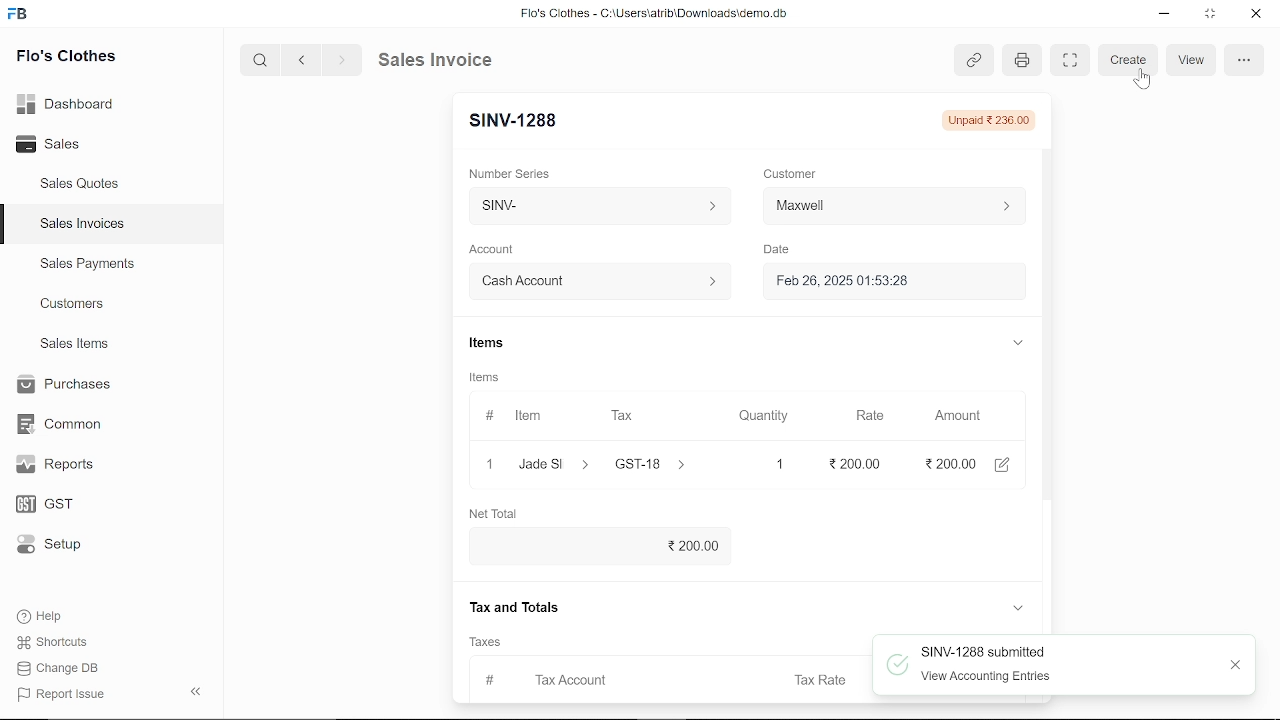  What do you see at coordinates (555, 464) in the screenshot?
I see `Jade slippers` at bounding box center [555, 464].